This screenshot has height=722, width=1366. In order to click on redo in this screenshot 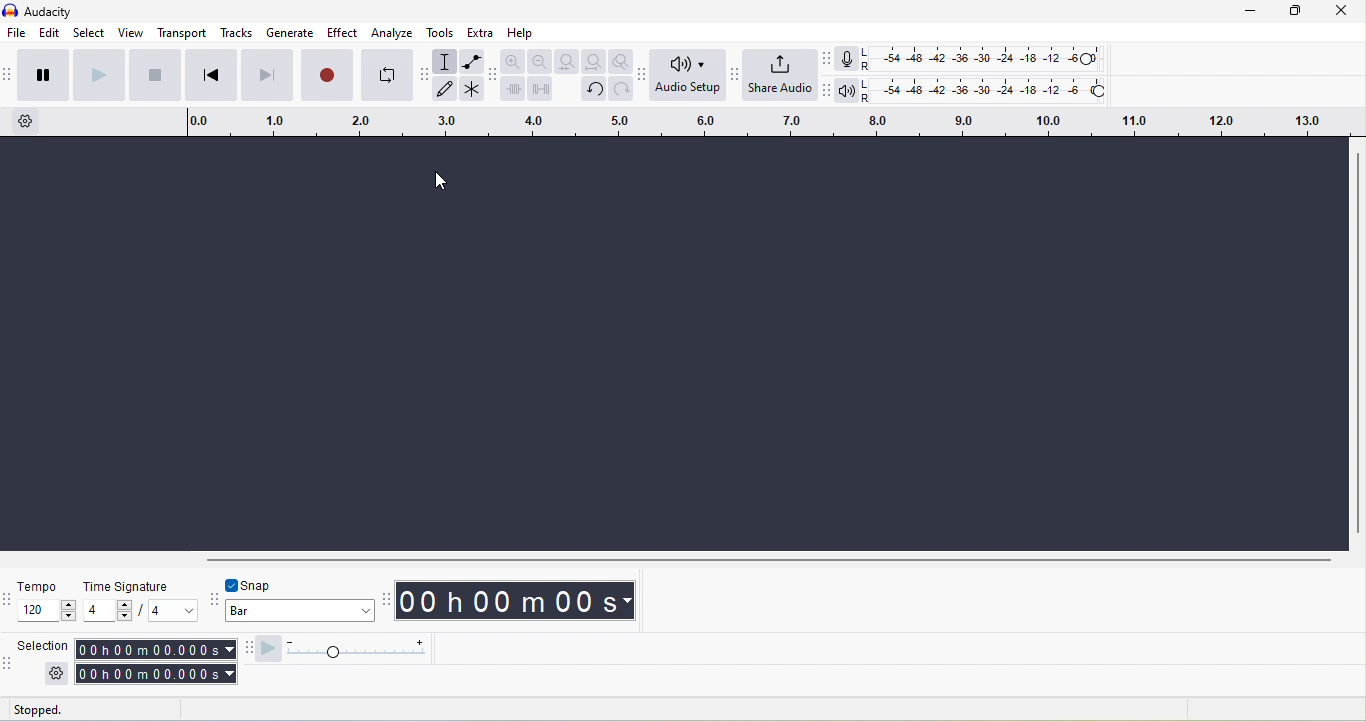, I will do `click(621, 90)`.